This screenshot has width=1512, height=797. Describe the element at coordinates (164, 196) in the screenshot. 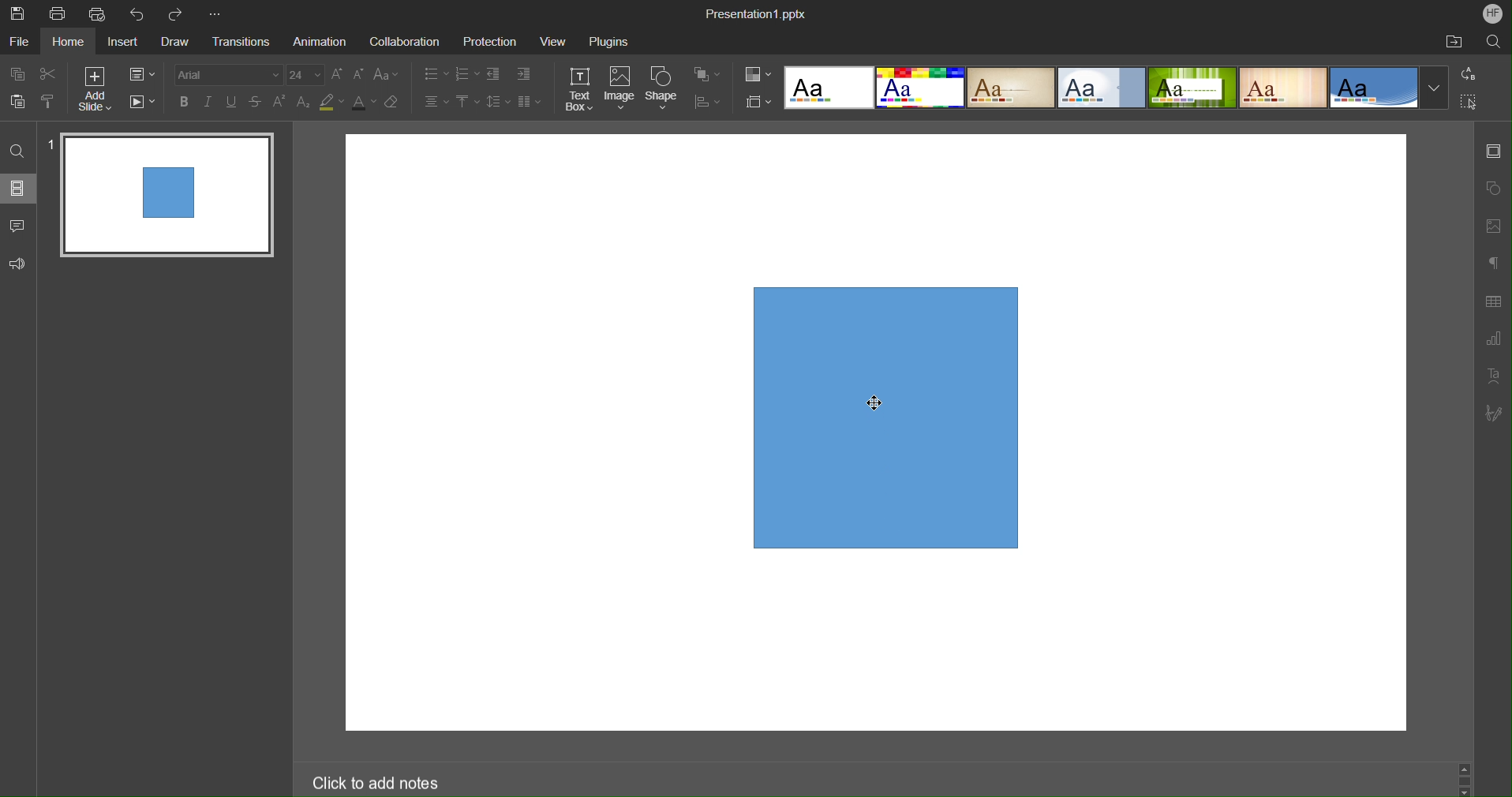

I see `Slide 1` at that location.